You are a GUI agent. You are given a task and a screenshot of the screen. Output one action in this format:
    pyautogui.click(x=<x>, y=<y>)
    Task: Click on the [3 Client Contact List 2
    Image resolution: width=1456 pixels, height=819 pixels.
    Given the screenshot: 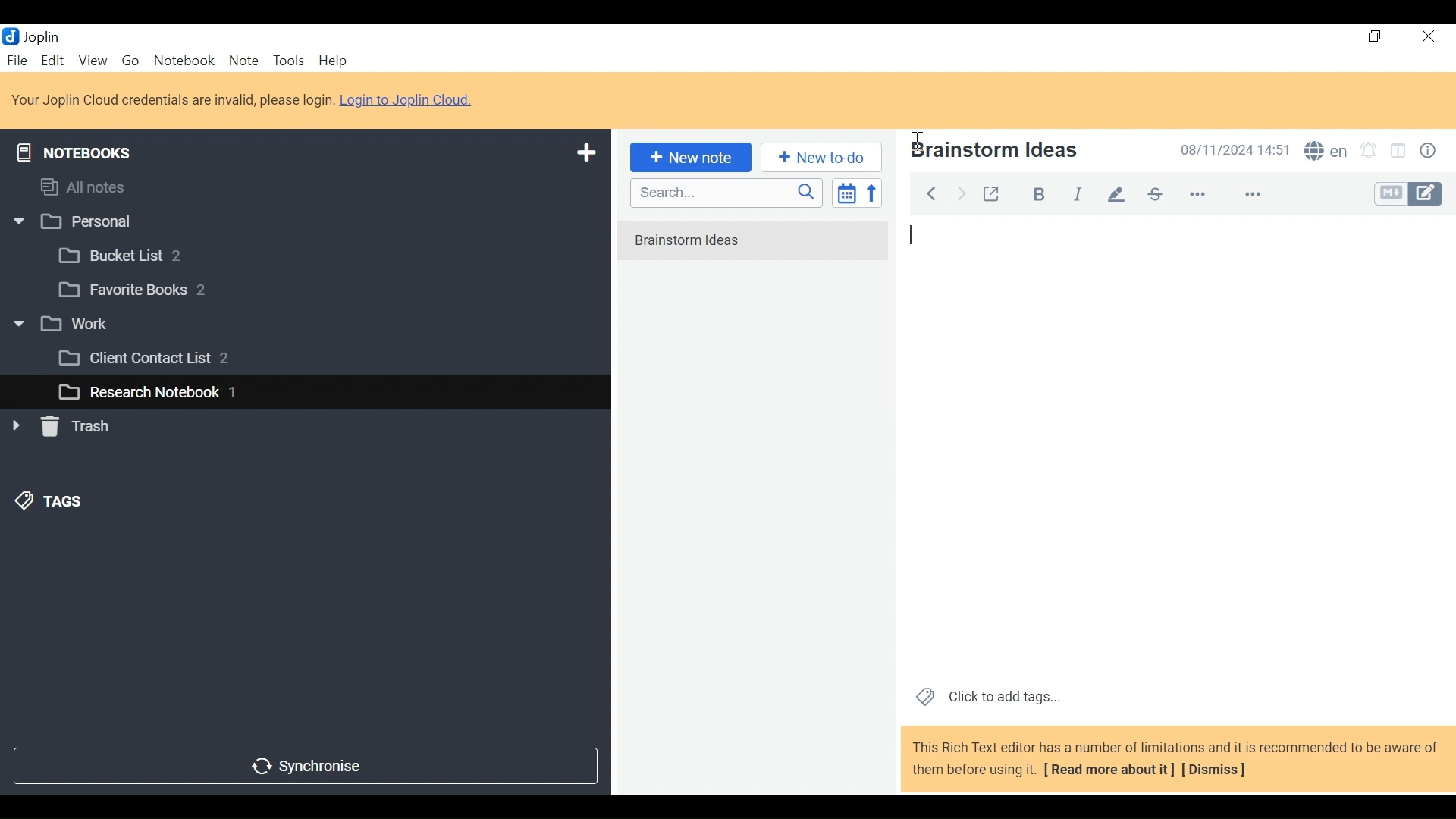 What is the action you would take?
    pyautogui.click(x=166, y=362)
    